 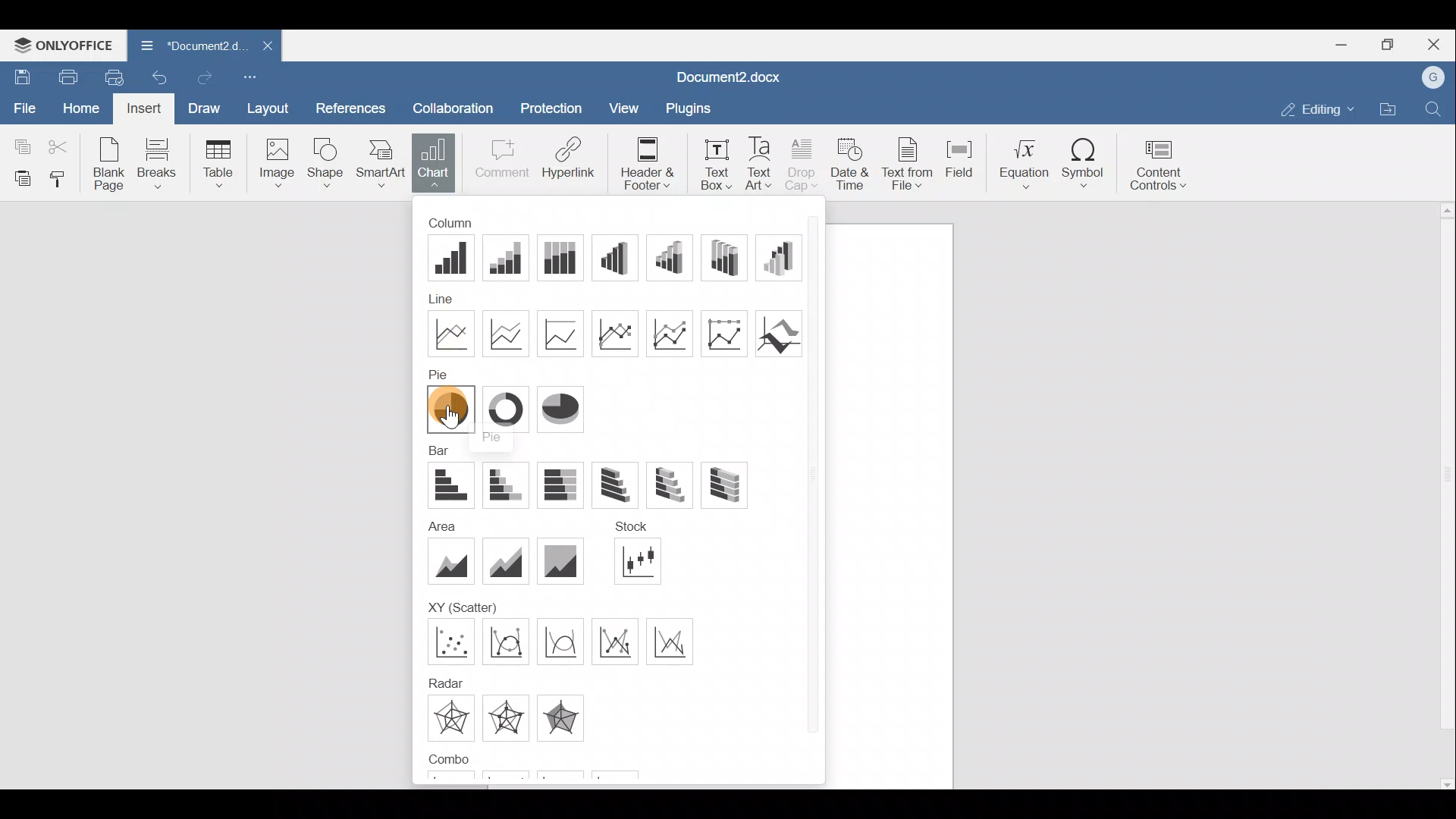 I want to click on Protection, so click(x=551, y=111).